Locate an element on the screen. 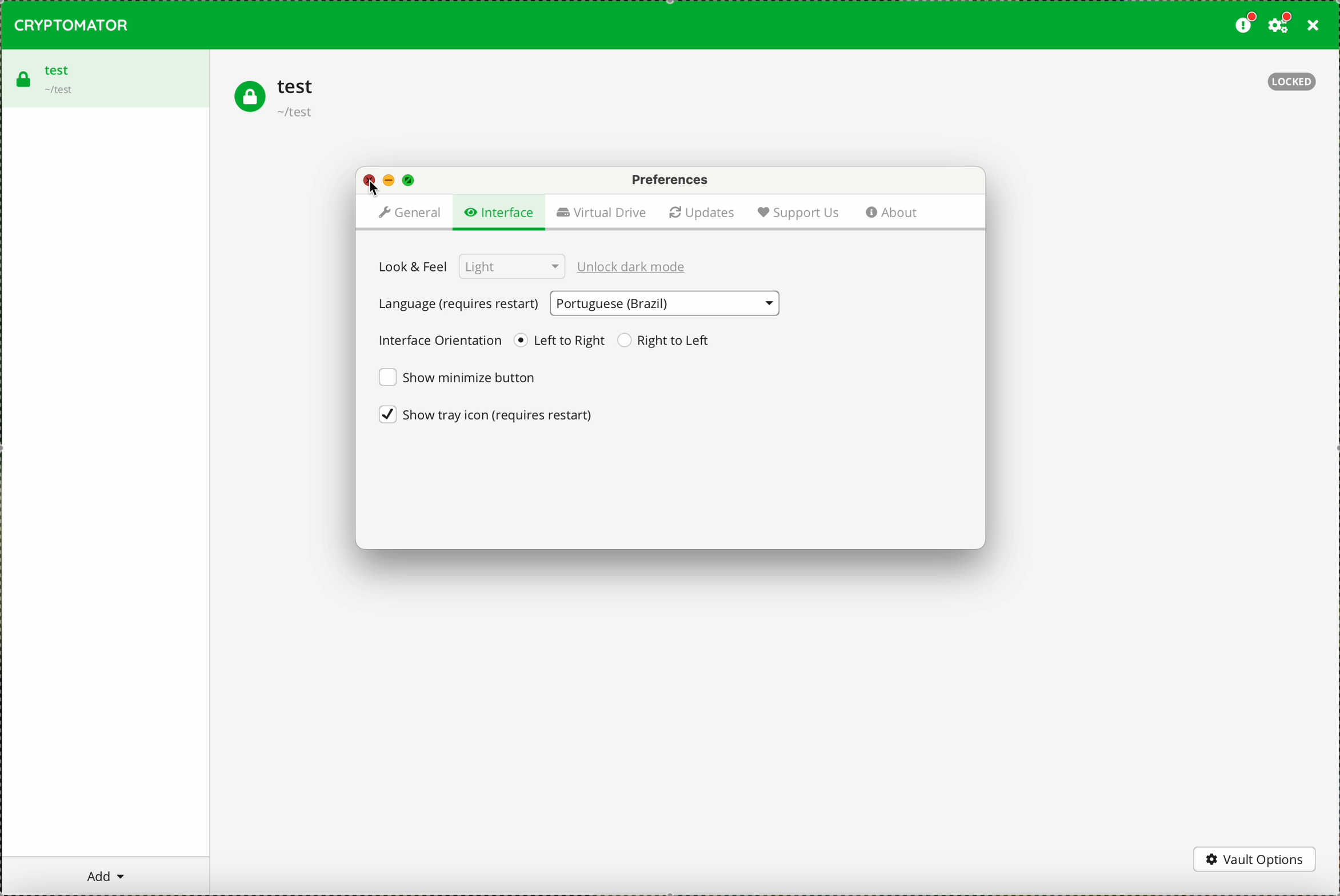 The height and width of the screenshot is (896, 1340). close  is located at coordinates (369, 179).